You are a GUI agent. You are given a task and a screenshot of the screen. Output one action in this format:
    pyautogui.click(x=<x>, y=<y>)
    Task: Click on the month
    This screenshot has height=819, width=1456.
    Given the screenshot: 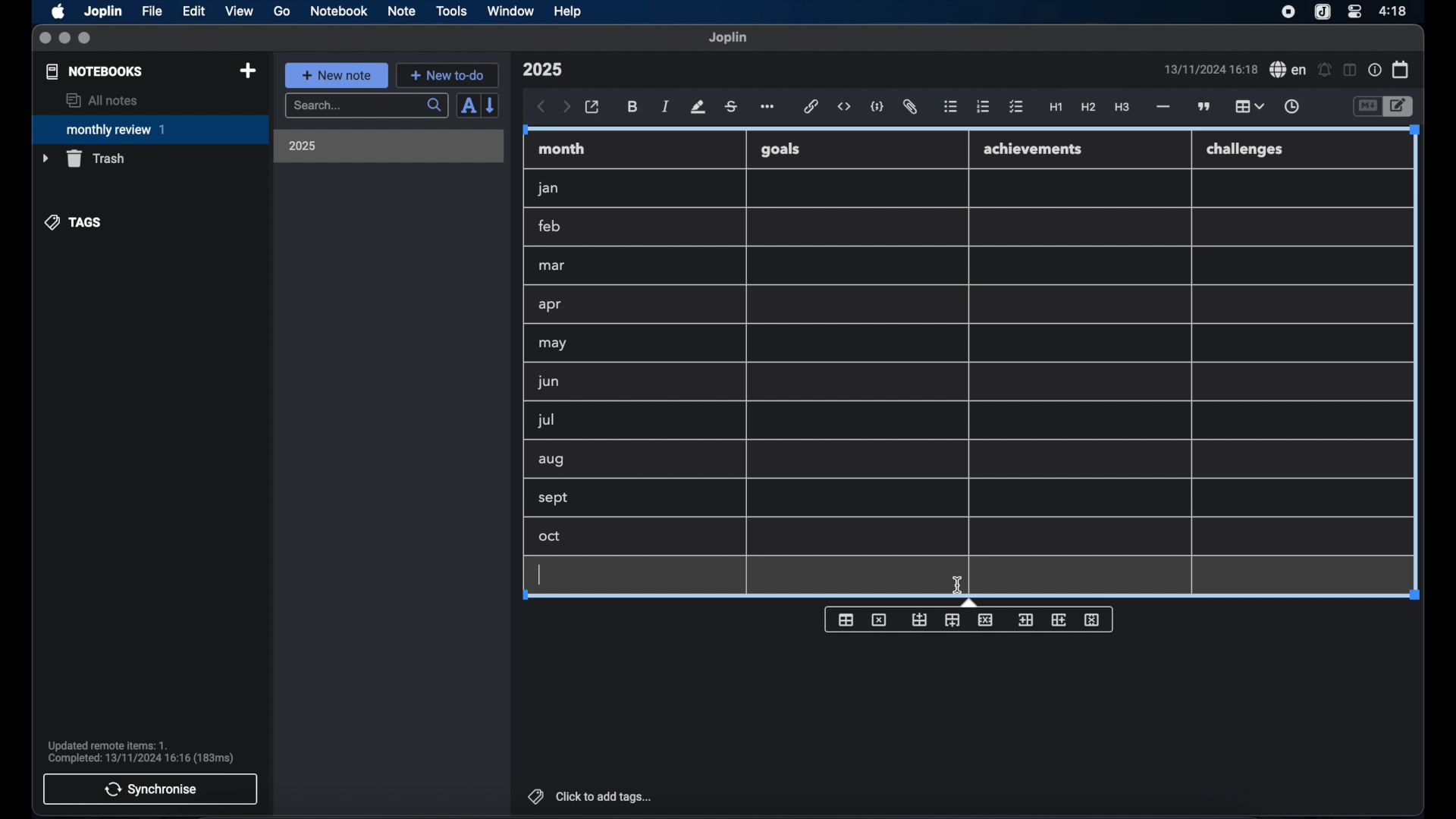 What is the action you would take?
    pyautogui.click(x=562, y=149)
    